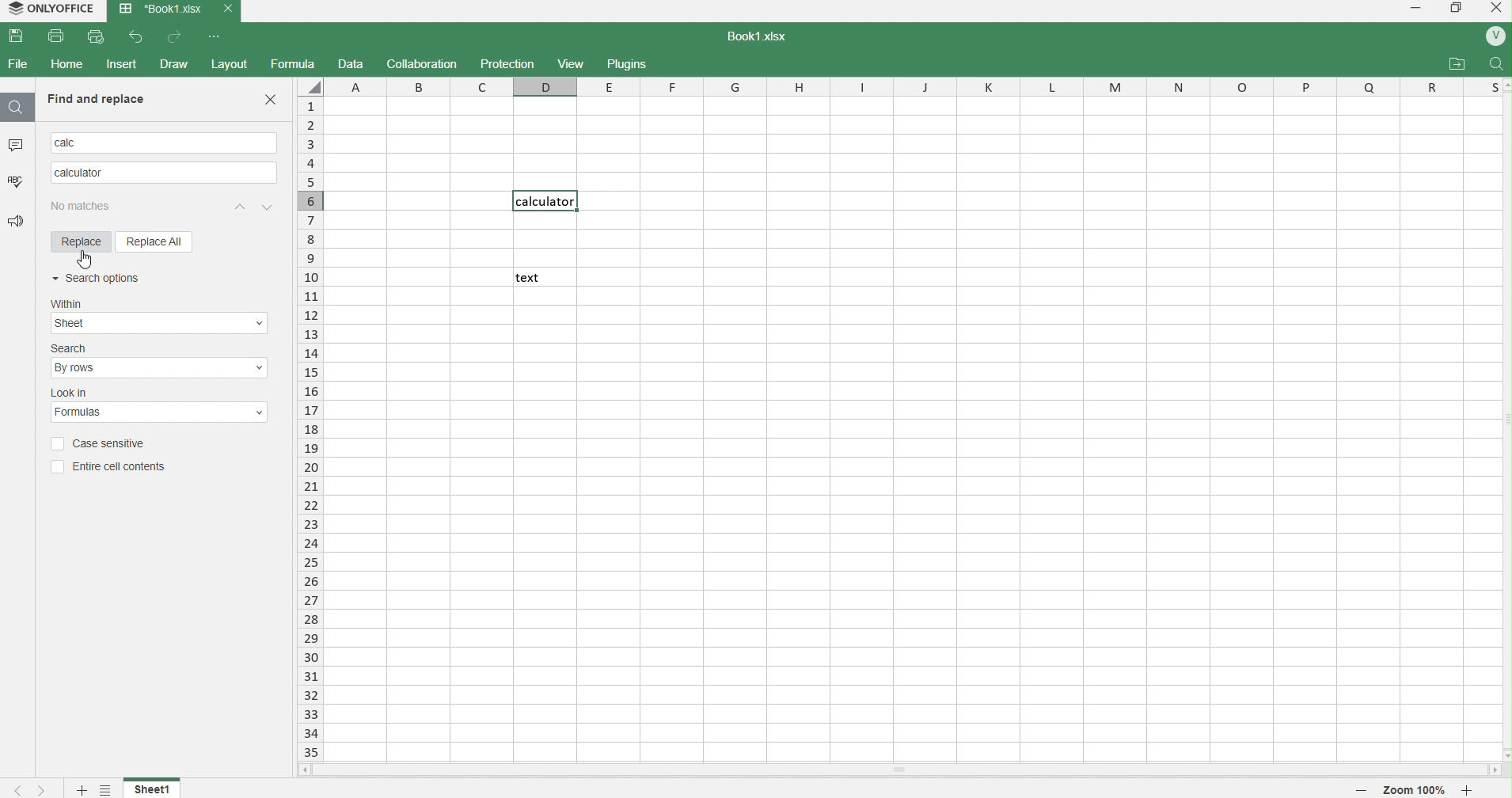  I want to click on Find and replace, so click(95, 100).